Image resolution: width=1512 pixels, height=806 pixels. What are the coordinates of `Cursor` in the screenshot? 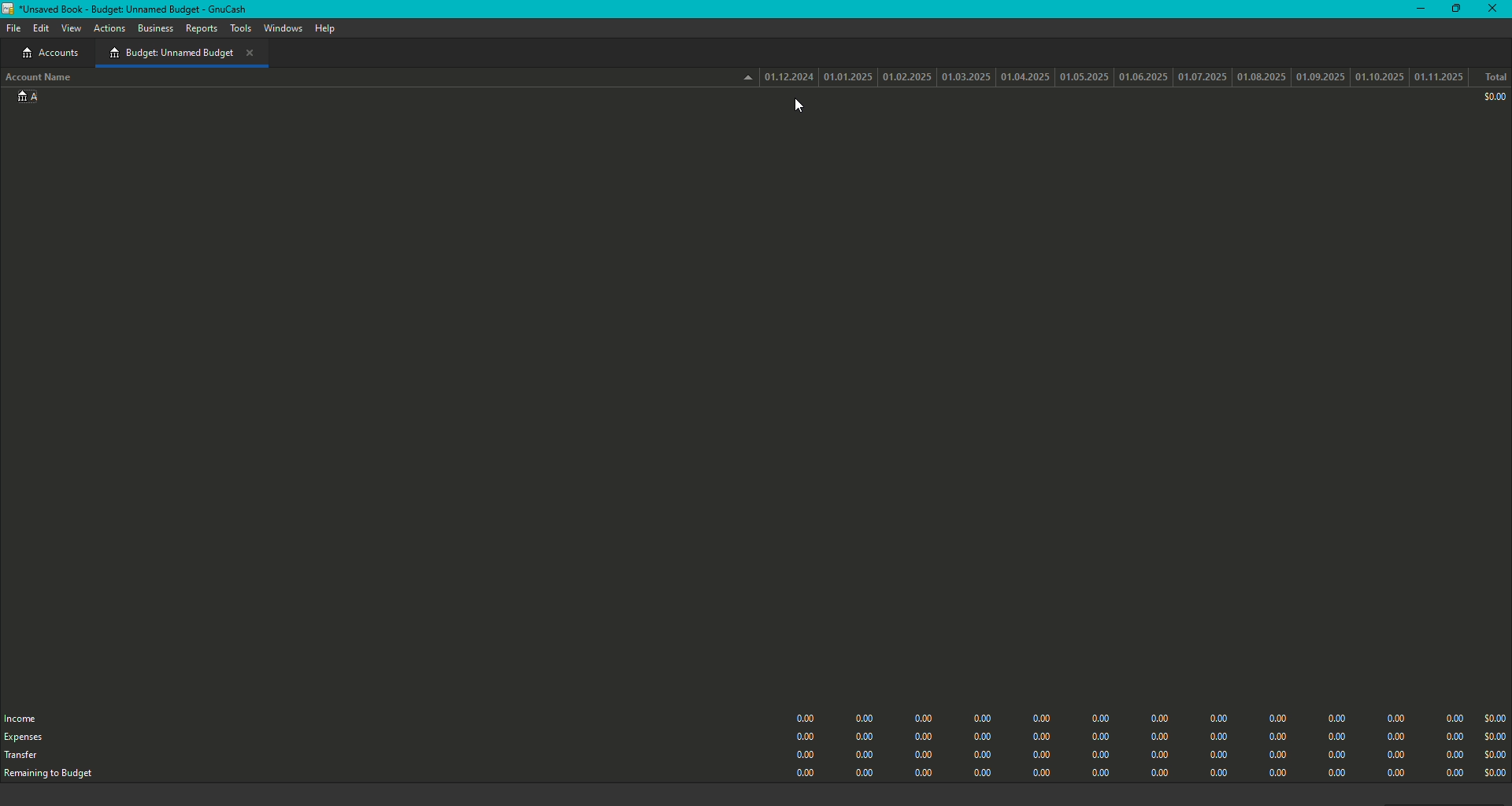 It's located at (802, 108).